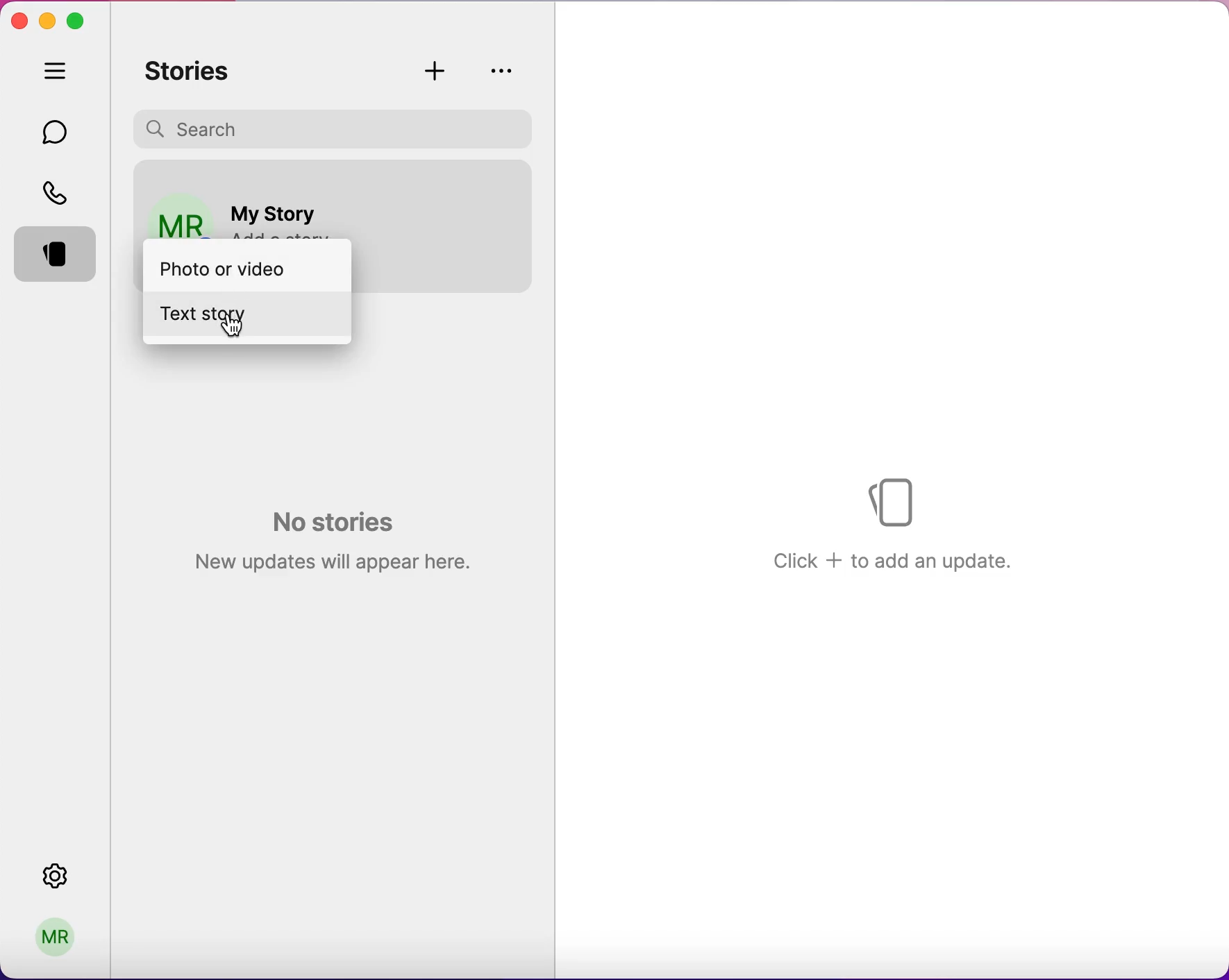  What do you see at coordinates (502, 70) in the screenshot?
I see `story privacy` at bounding box center [502, 70].